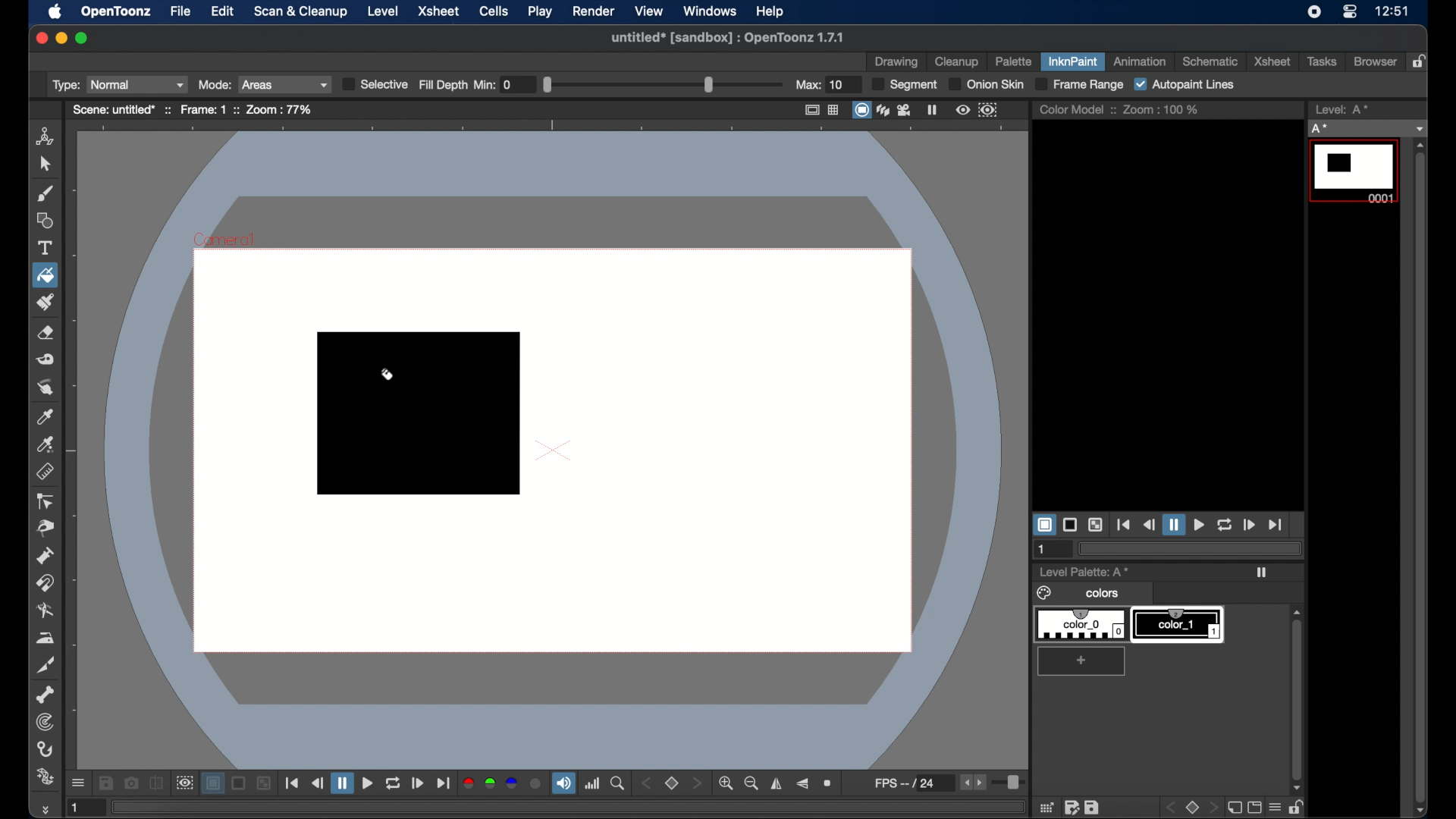  I want to click on locator, so click(617, 783).